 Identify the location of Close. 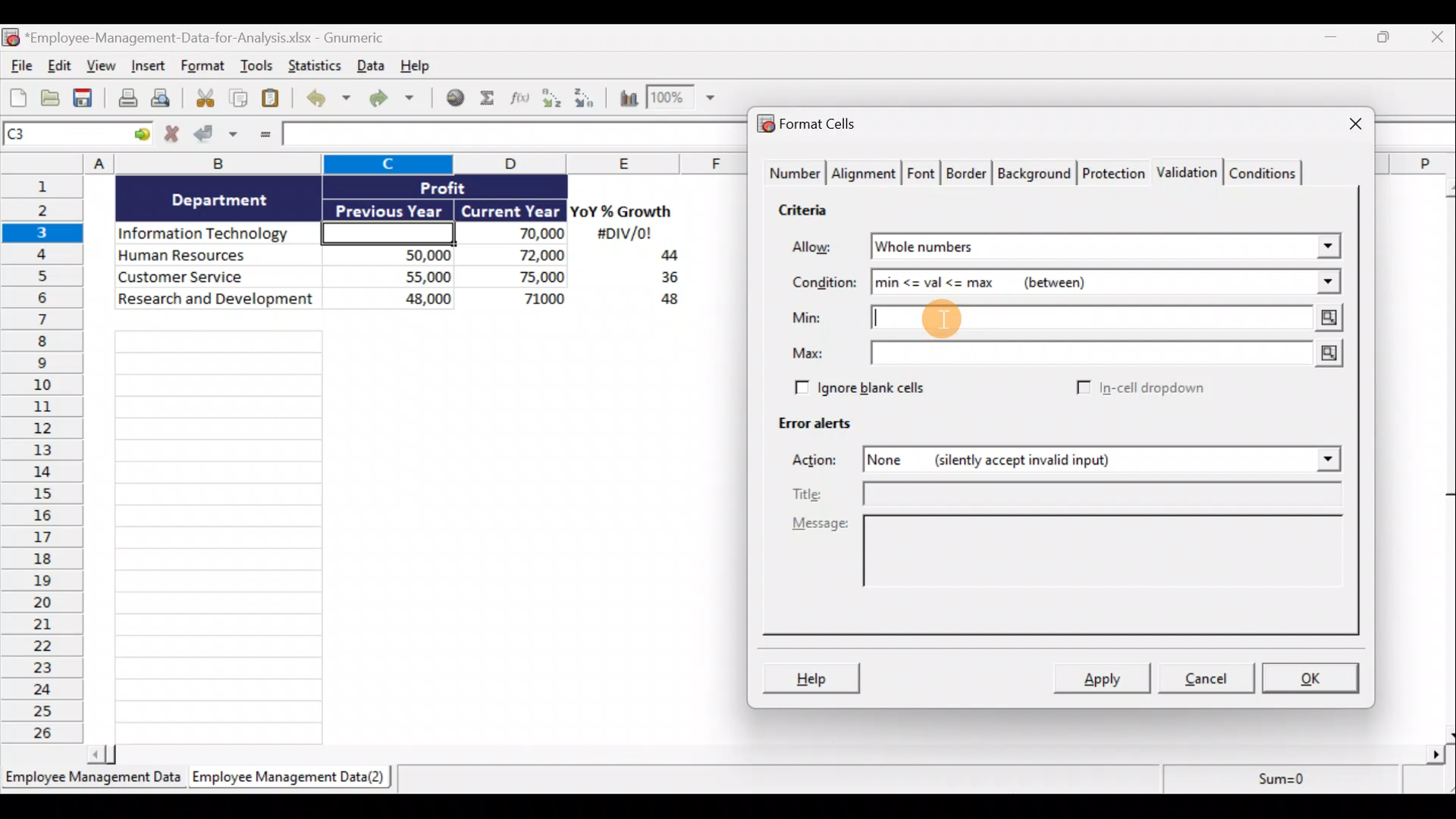
(1341, 125).